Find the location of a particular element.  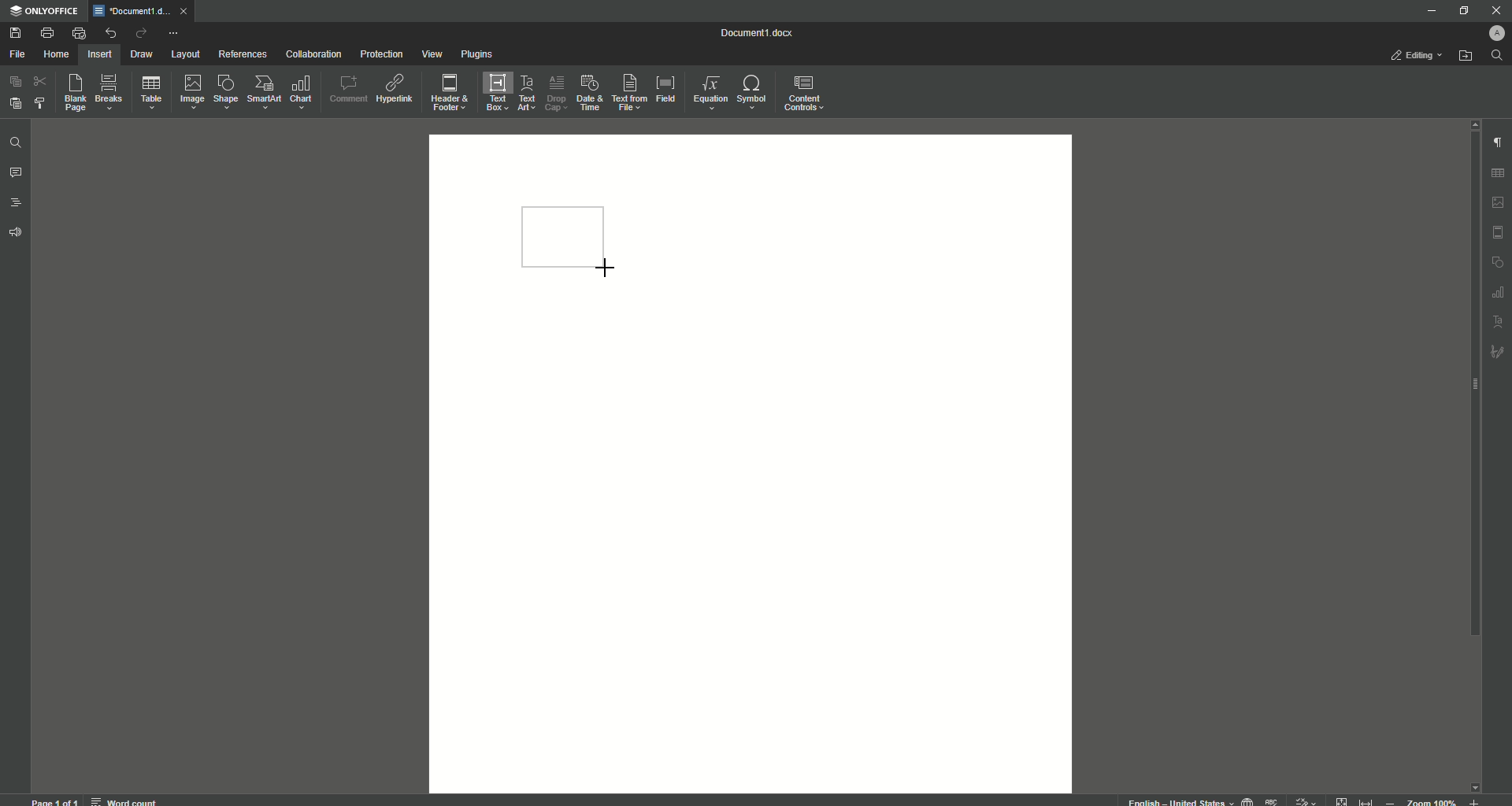

Search is located at coordinates (1497, 56).